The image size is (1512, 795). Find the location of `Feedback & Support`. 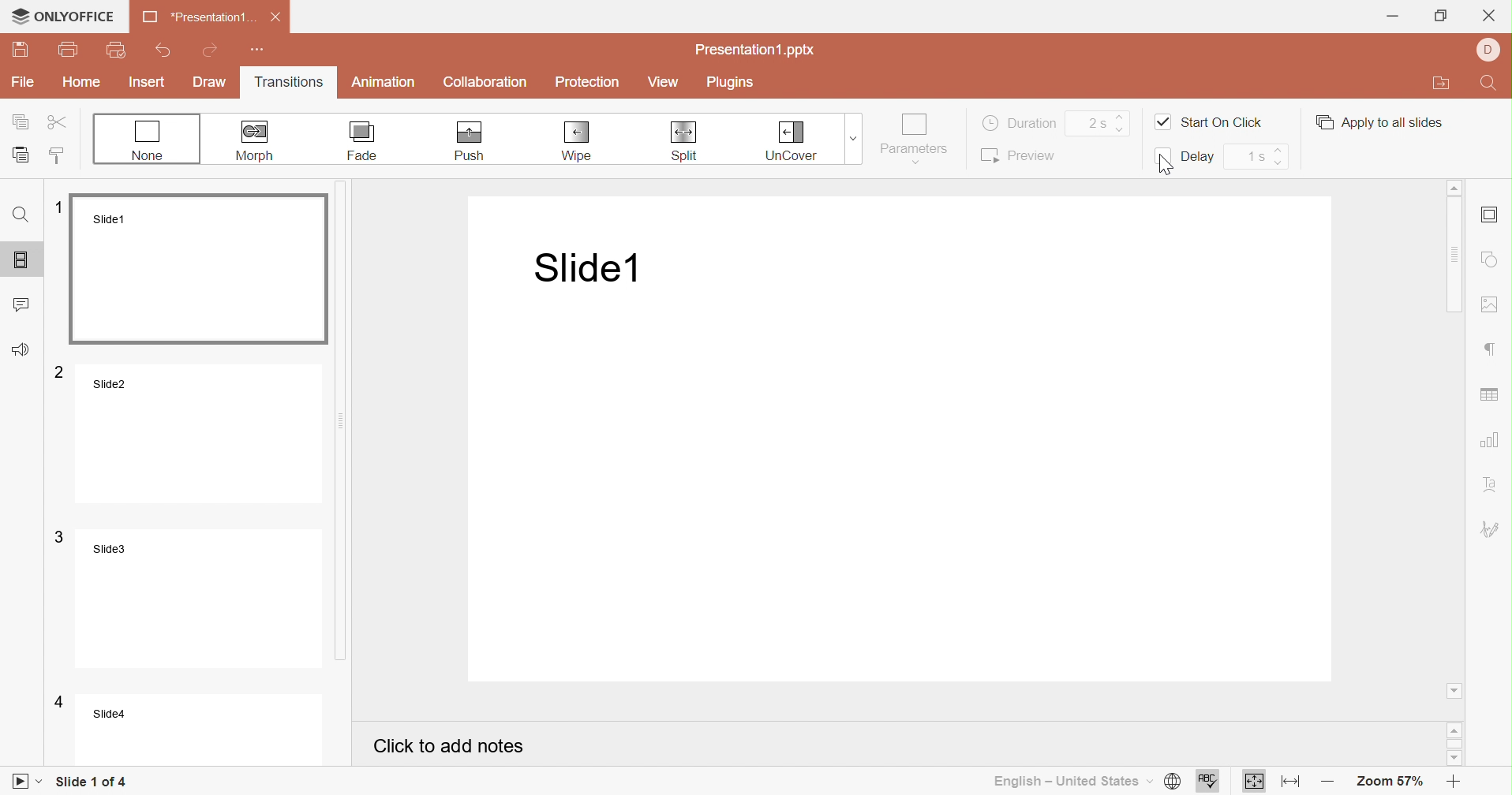

Feedback & Support is located at coordinates (24, 351).